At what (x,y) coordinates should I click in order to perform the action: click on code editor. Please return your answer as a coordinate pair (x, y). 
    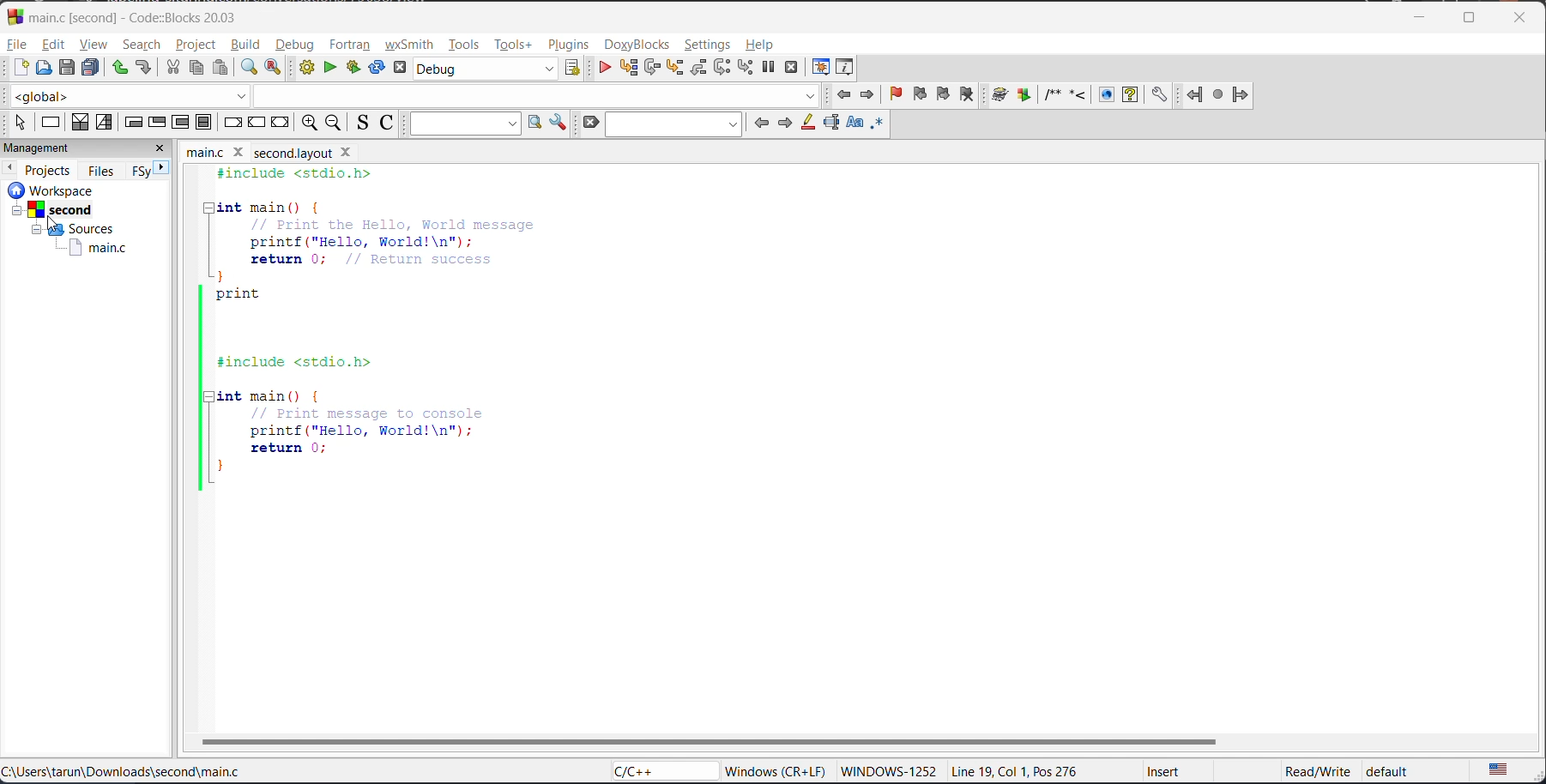
    Looking at the image, I should click on (361, 335).